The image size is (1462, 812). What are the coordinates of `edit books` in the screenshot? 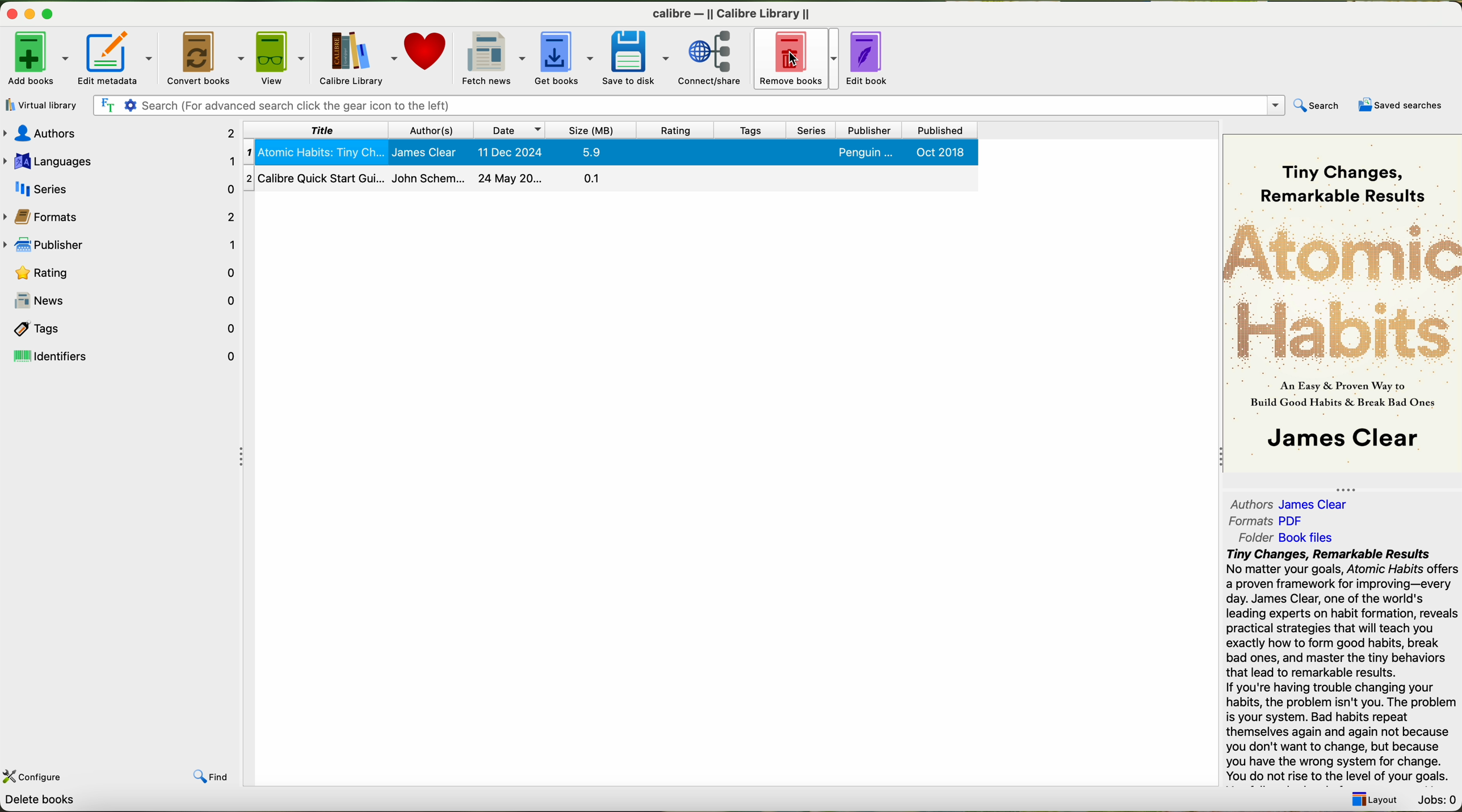 It's located at (870, 59).